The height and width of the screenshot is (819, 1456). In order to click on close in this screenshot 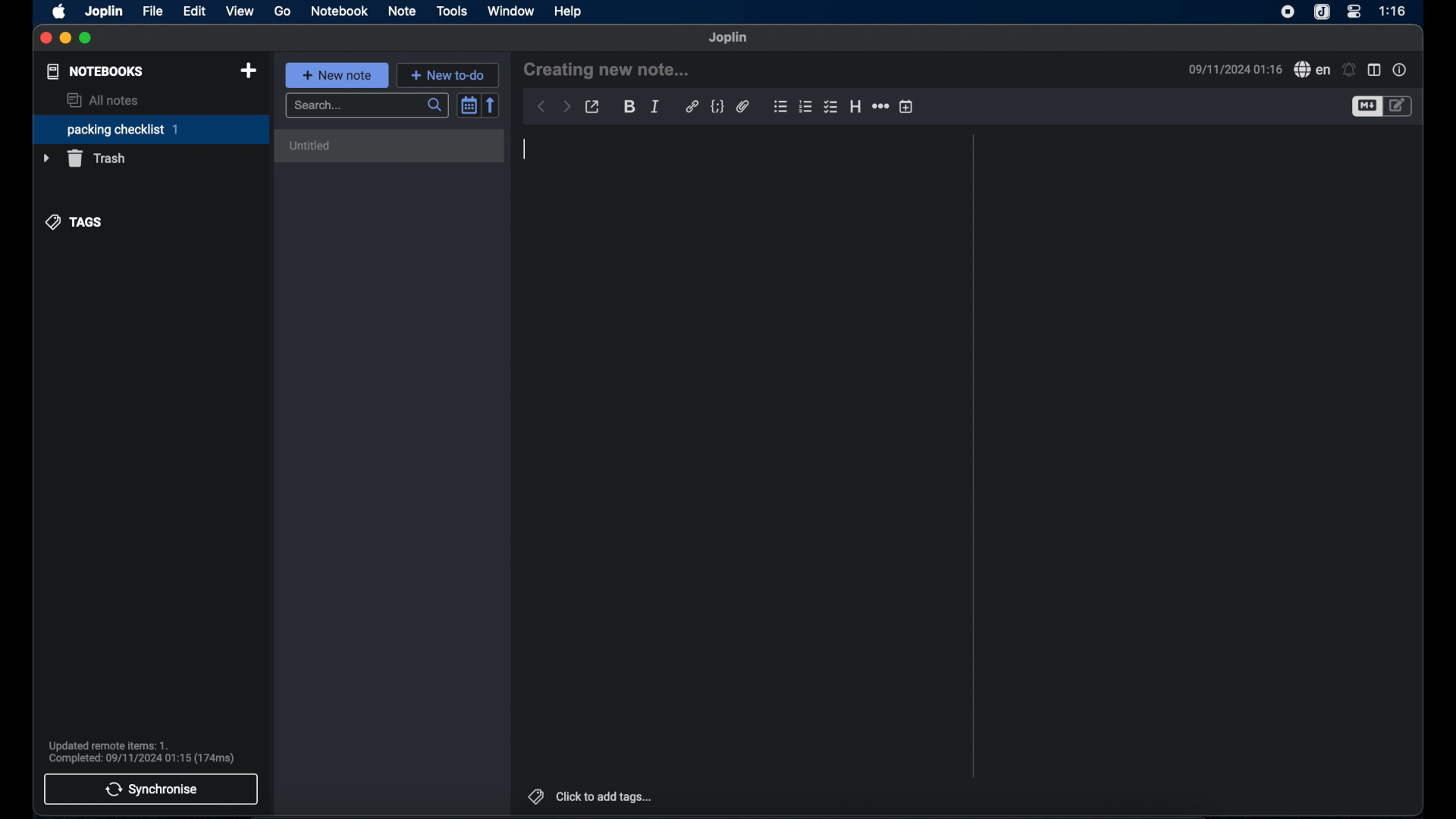, I will do `click(45, 38)`.